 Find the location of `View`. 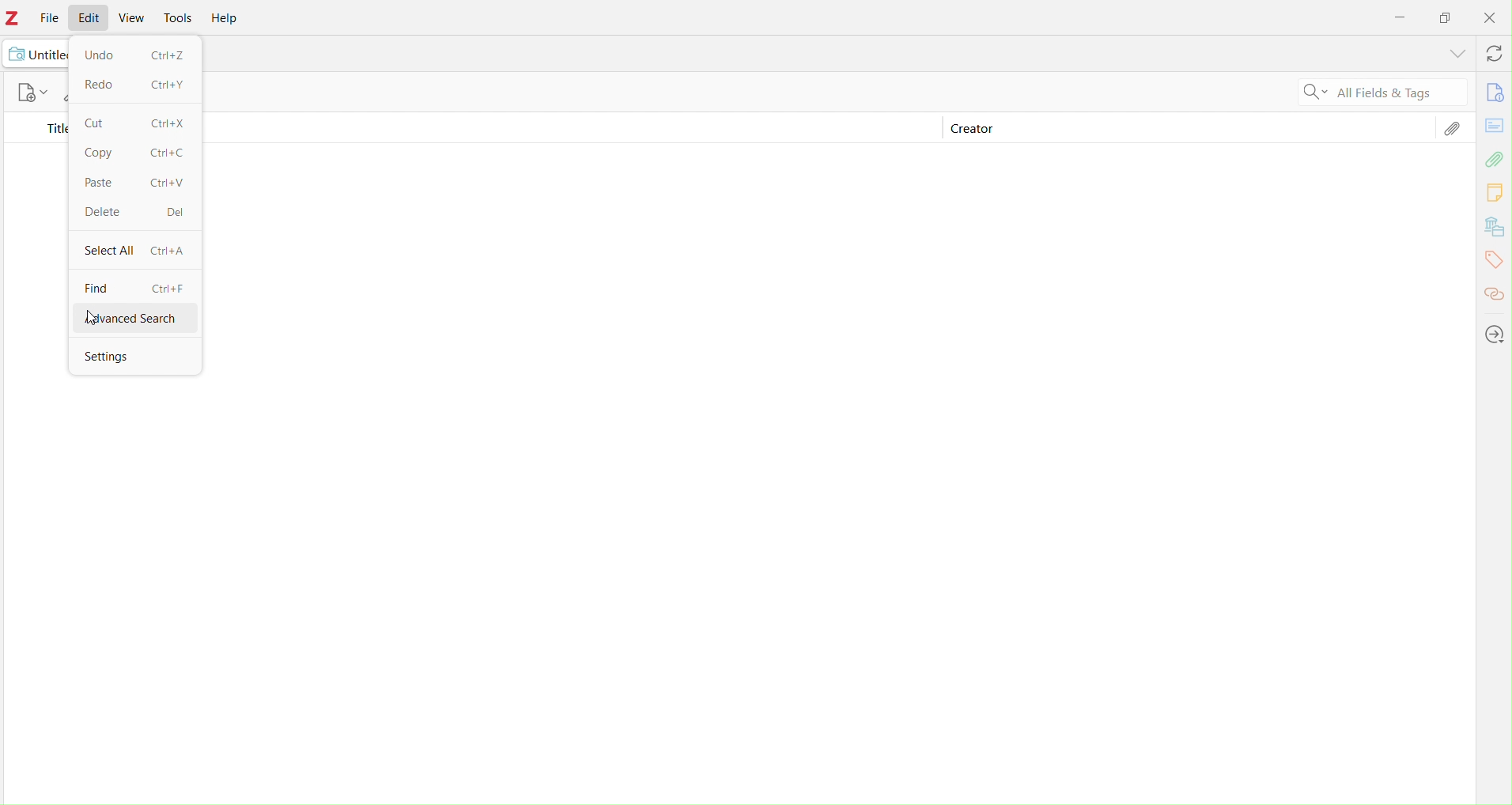

View is located at coordinates (129, 18).